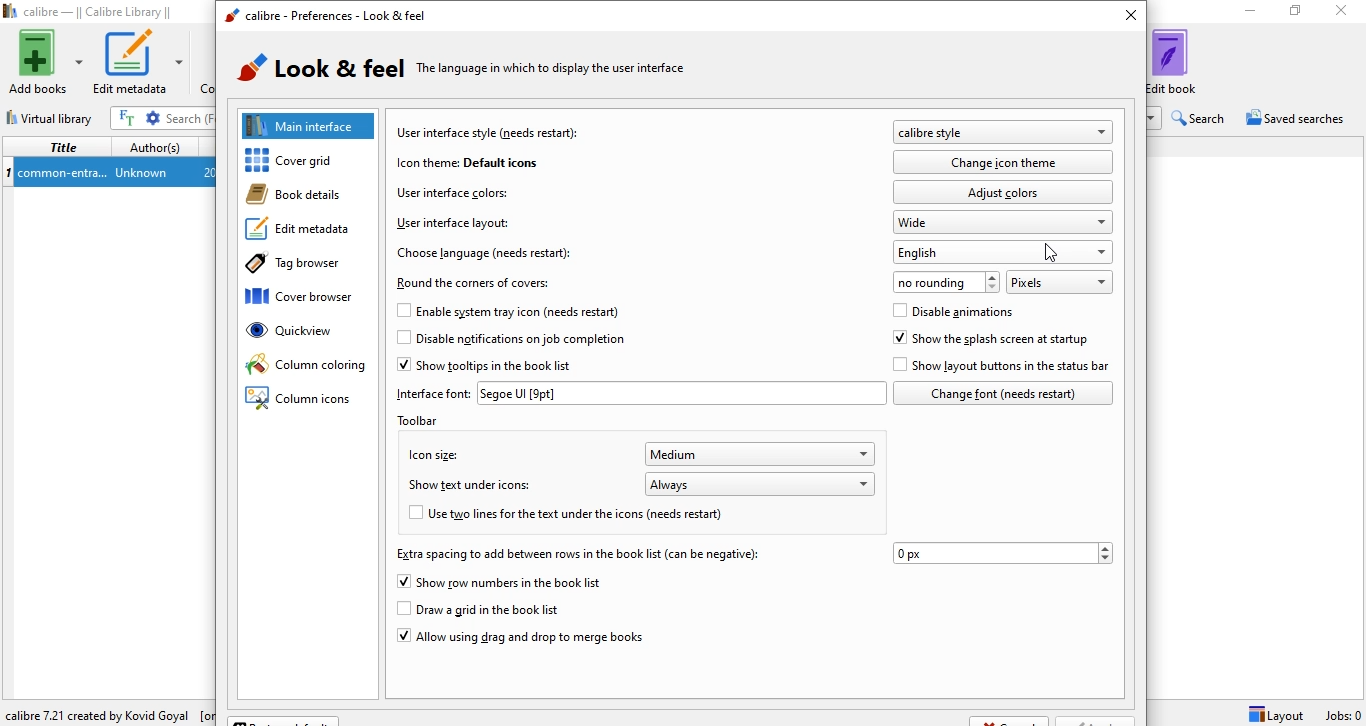 The width and height of the screenshot is (1366, 726). I want to click on Minimise, so click(1245, 12).